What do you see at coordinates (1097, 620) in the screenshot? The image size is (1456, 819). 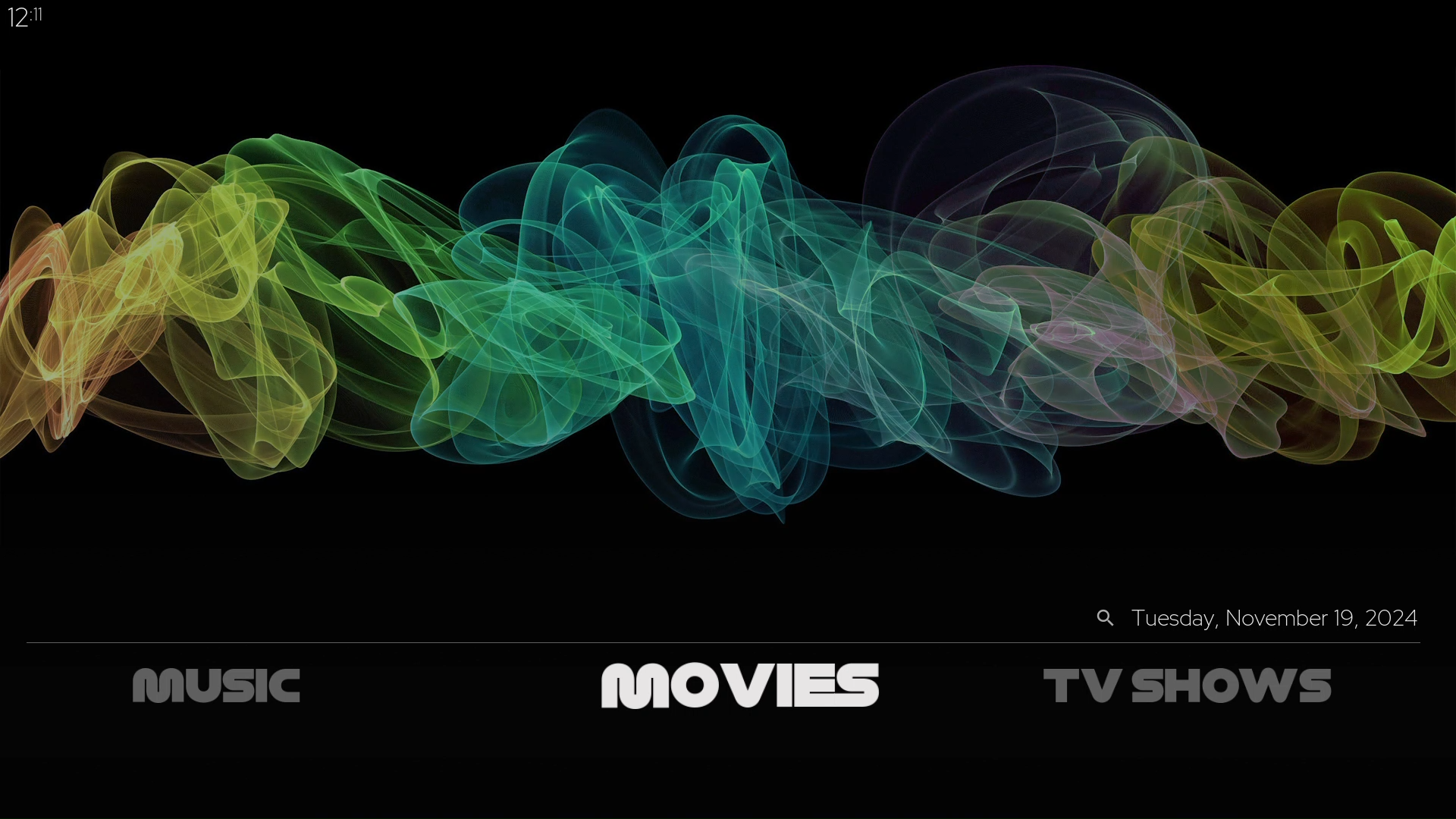 I see `search` at bounding box center [1097, 620].